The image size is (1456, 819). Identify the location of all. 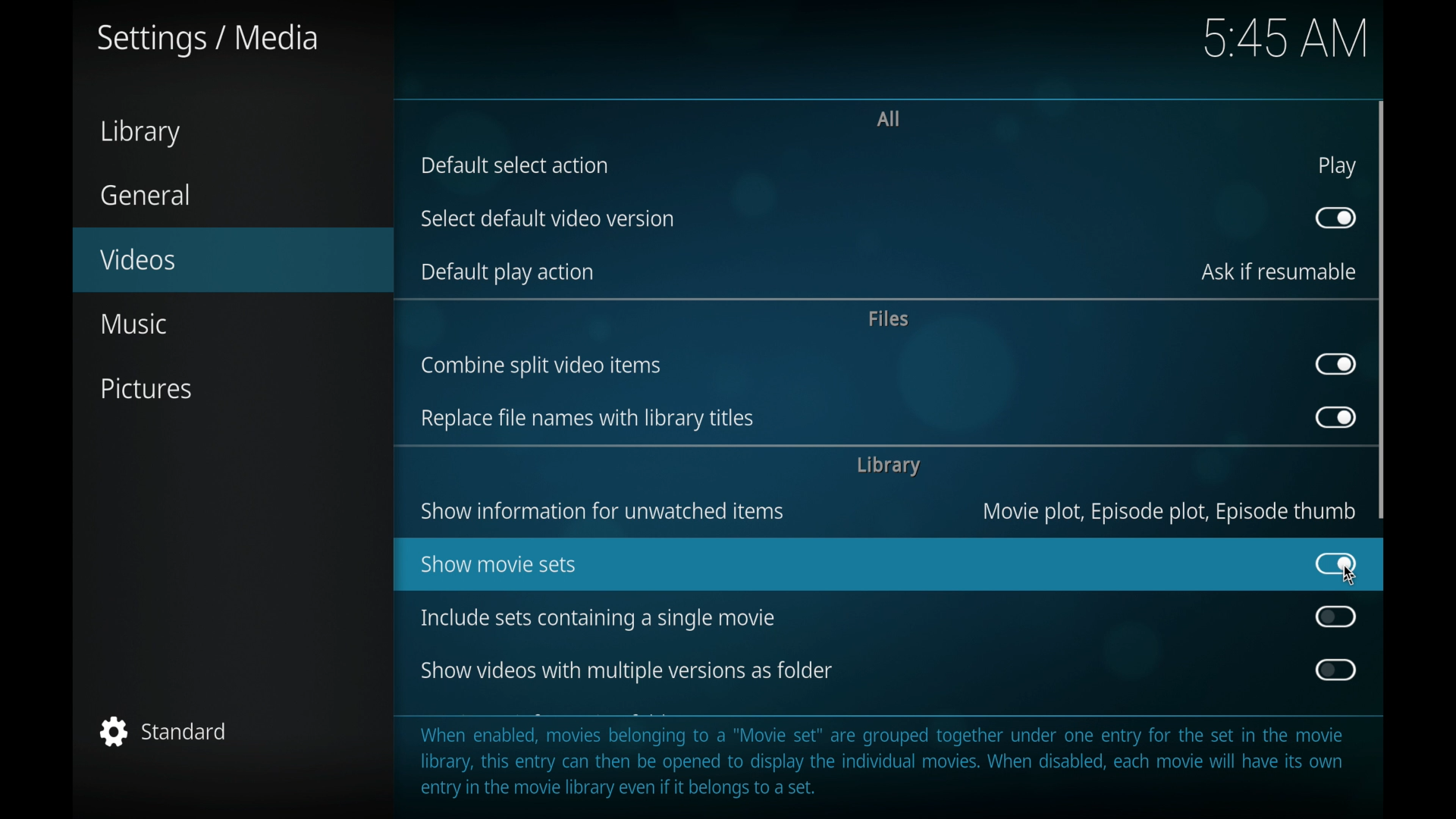
(889, 119).